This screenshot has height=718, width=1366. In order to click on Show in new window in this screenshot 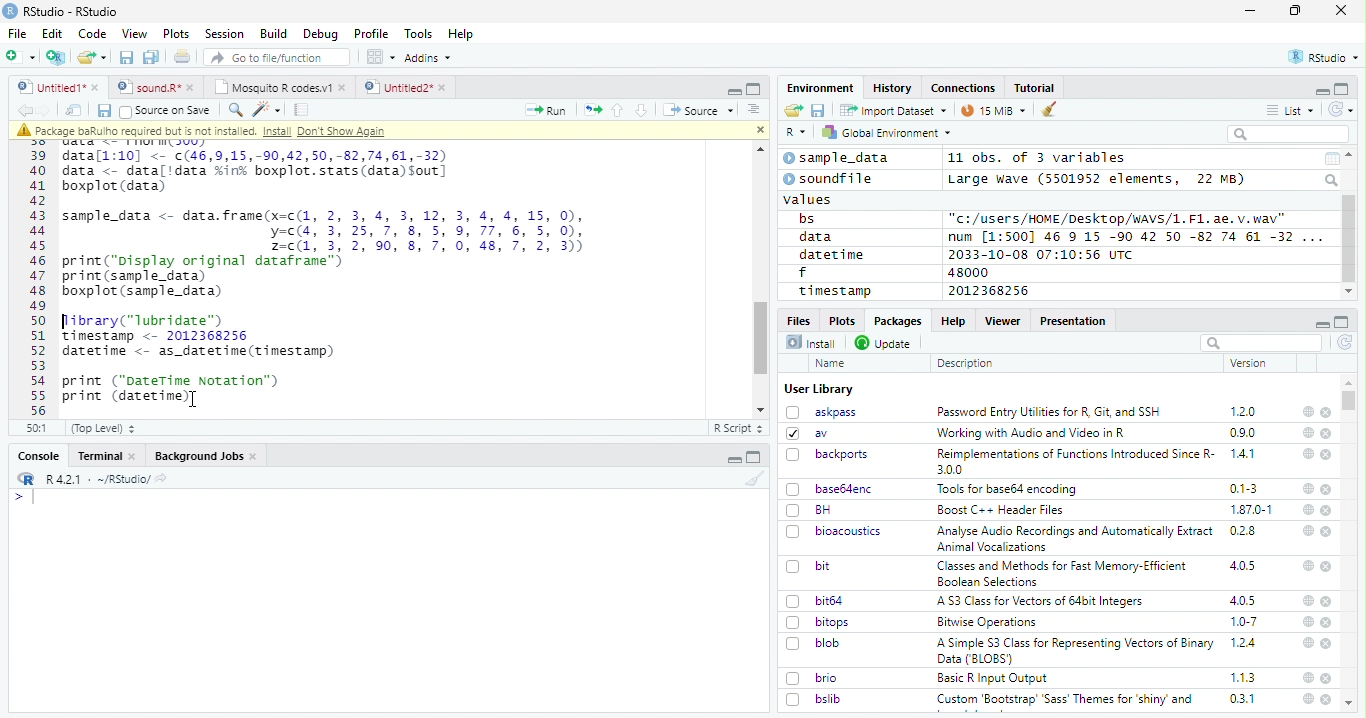, I will do `click(76, 110)`.